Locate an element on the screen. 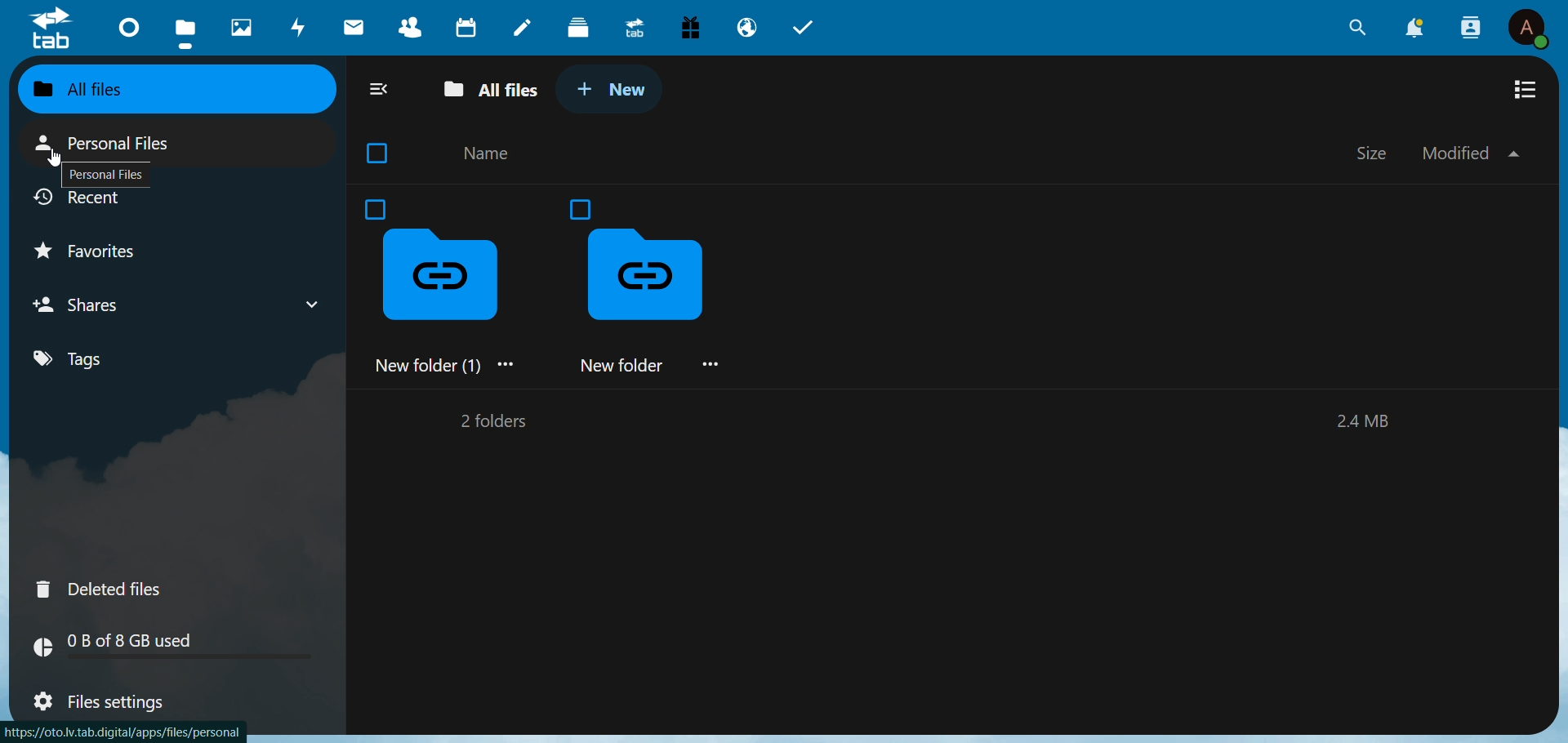 The width and height of the screenshot is (1568, 743). size is located at coordinates (1374, 151).